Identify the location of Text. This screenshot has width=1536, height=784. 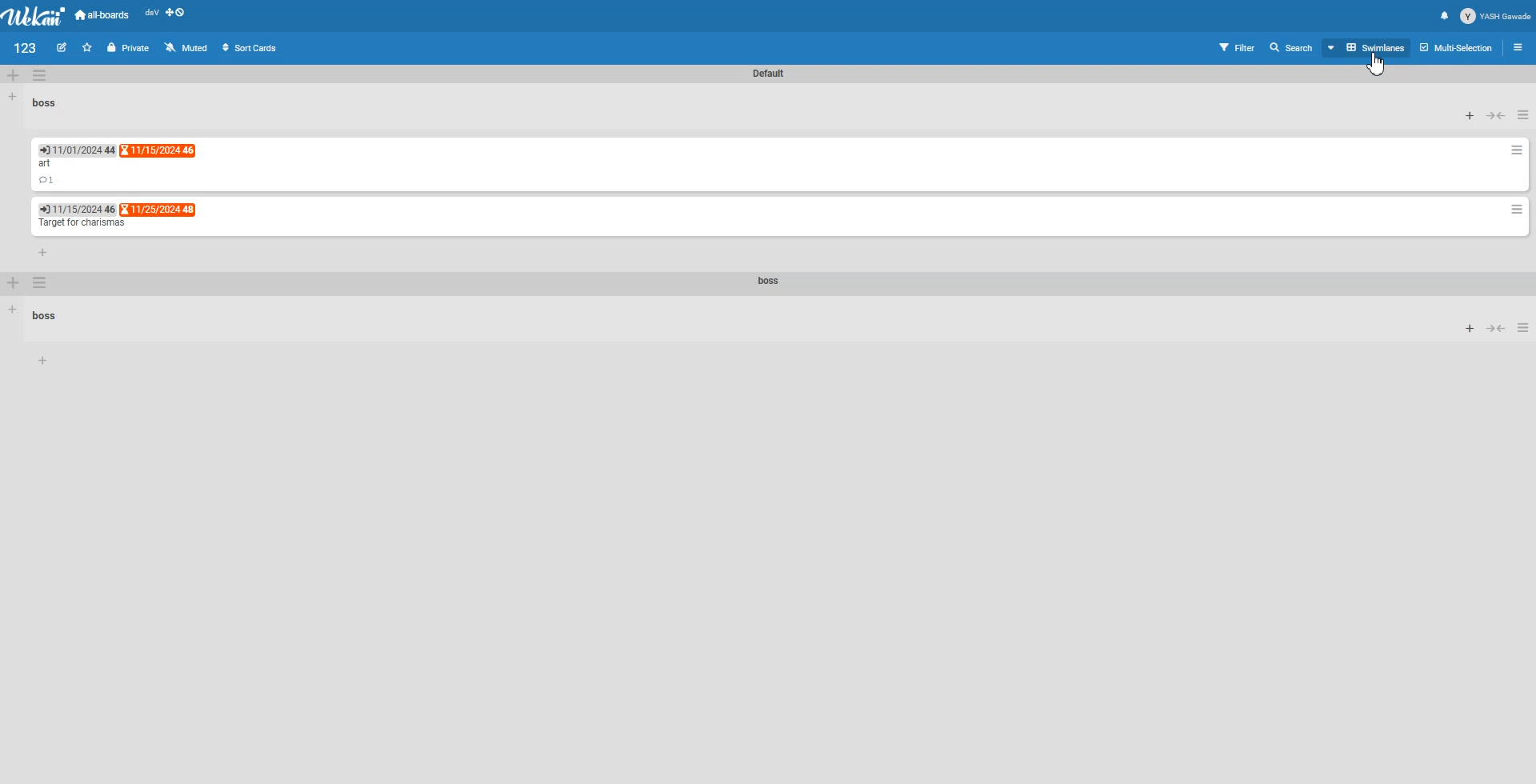
(769, 73).